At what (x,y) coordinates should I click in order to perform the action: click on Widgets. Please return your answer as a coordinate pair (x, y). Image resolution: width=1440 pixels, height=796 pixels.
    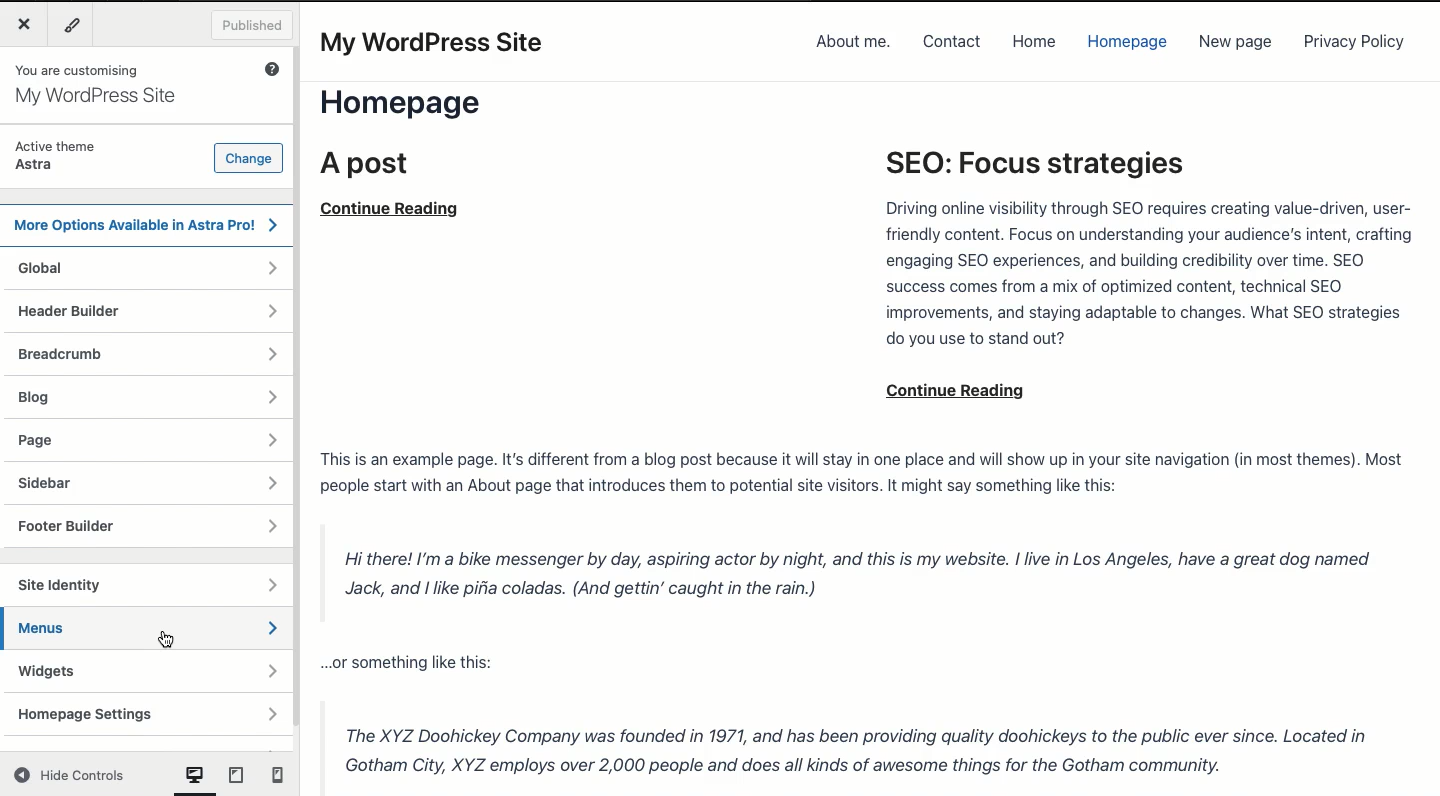
    Looking at the image, I should click on (149, 672).